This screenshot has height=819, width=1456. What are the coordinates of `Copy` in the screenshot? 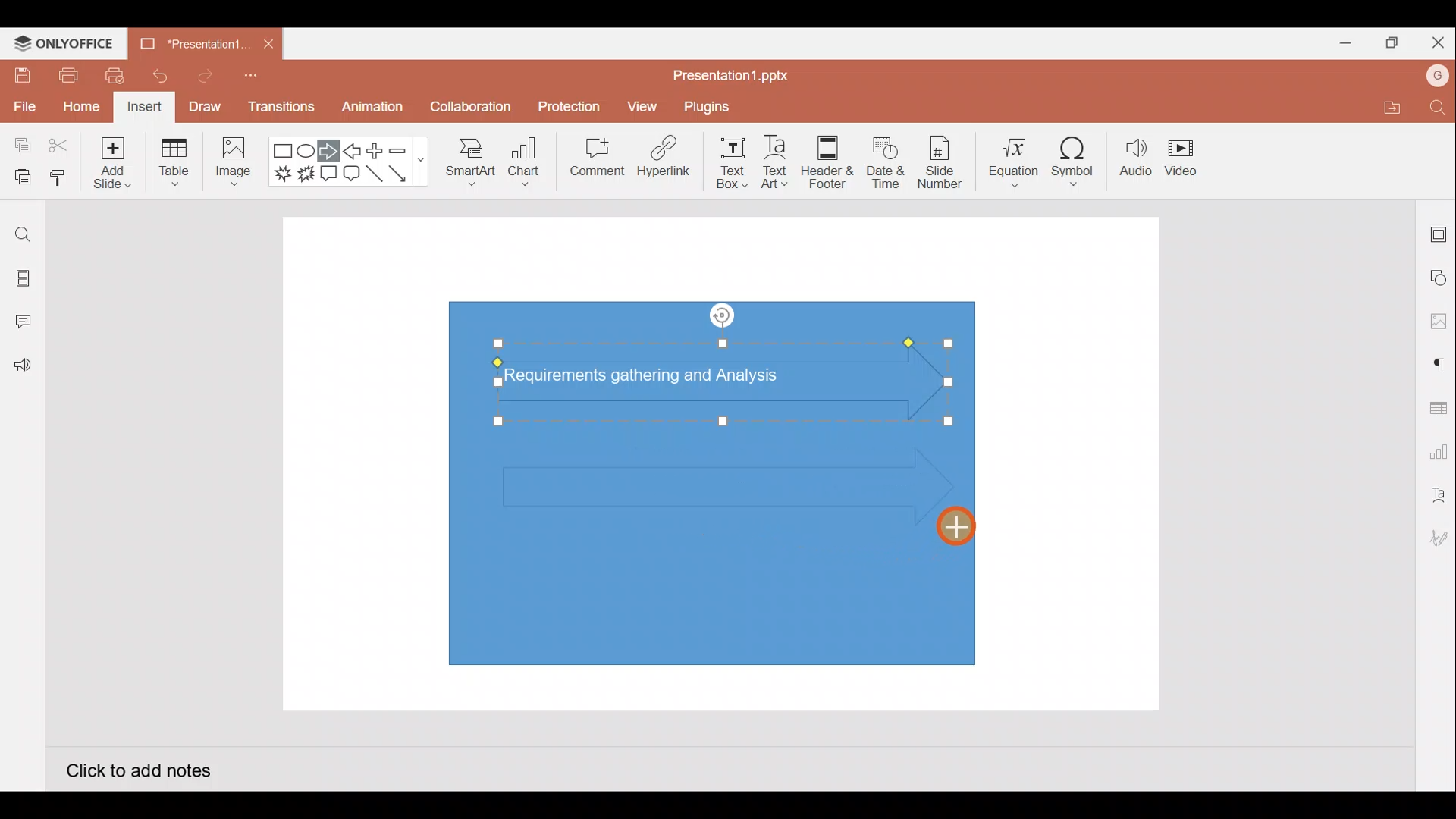 It's located at (20, 146).